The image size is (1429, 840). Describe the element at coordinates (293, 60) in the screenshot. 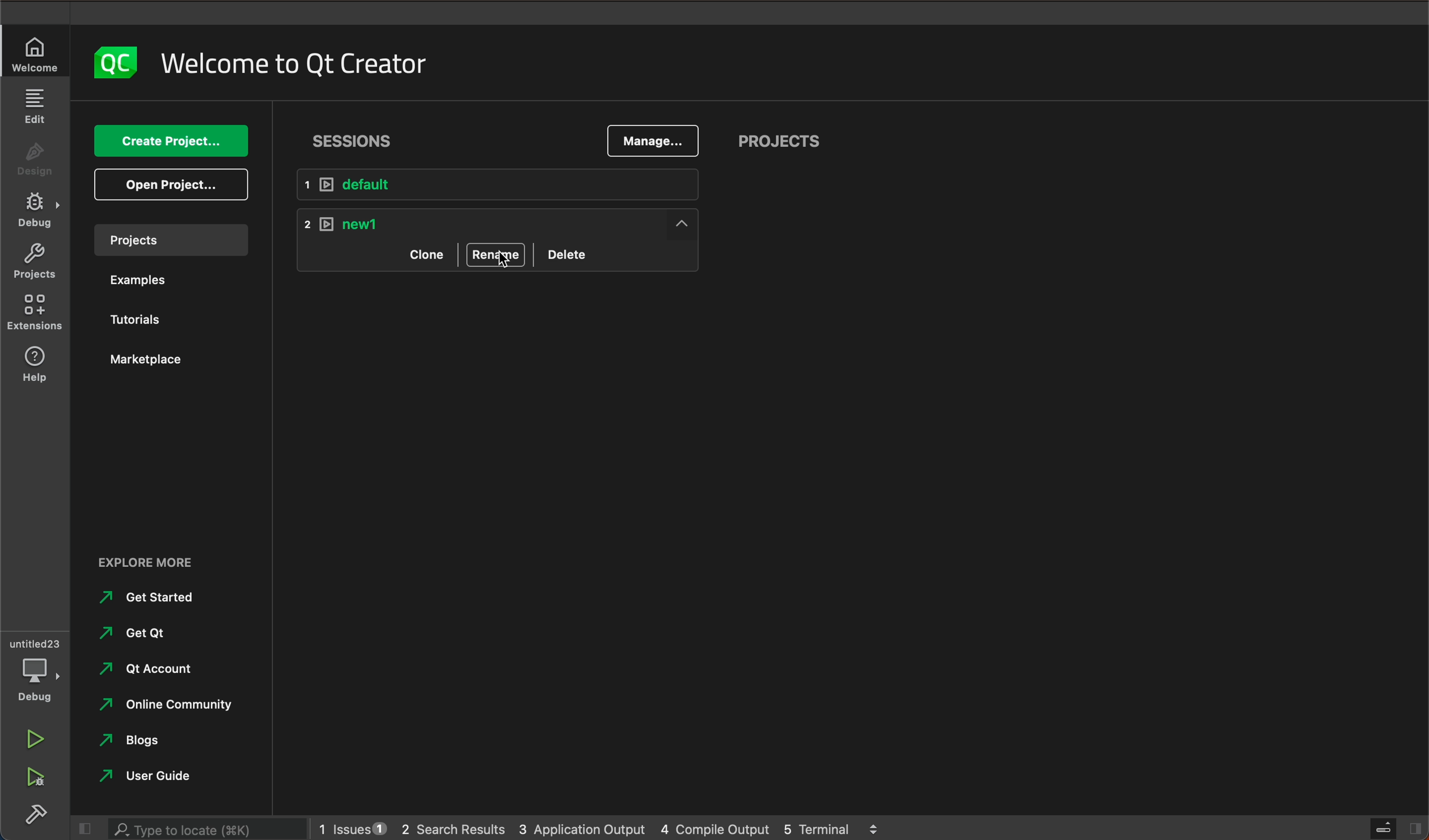

I see `welcome` at that location.